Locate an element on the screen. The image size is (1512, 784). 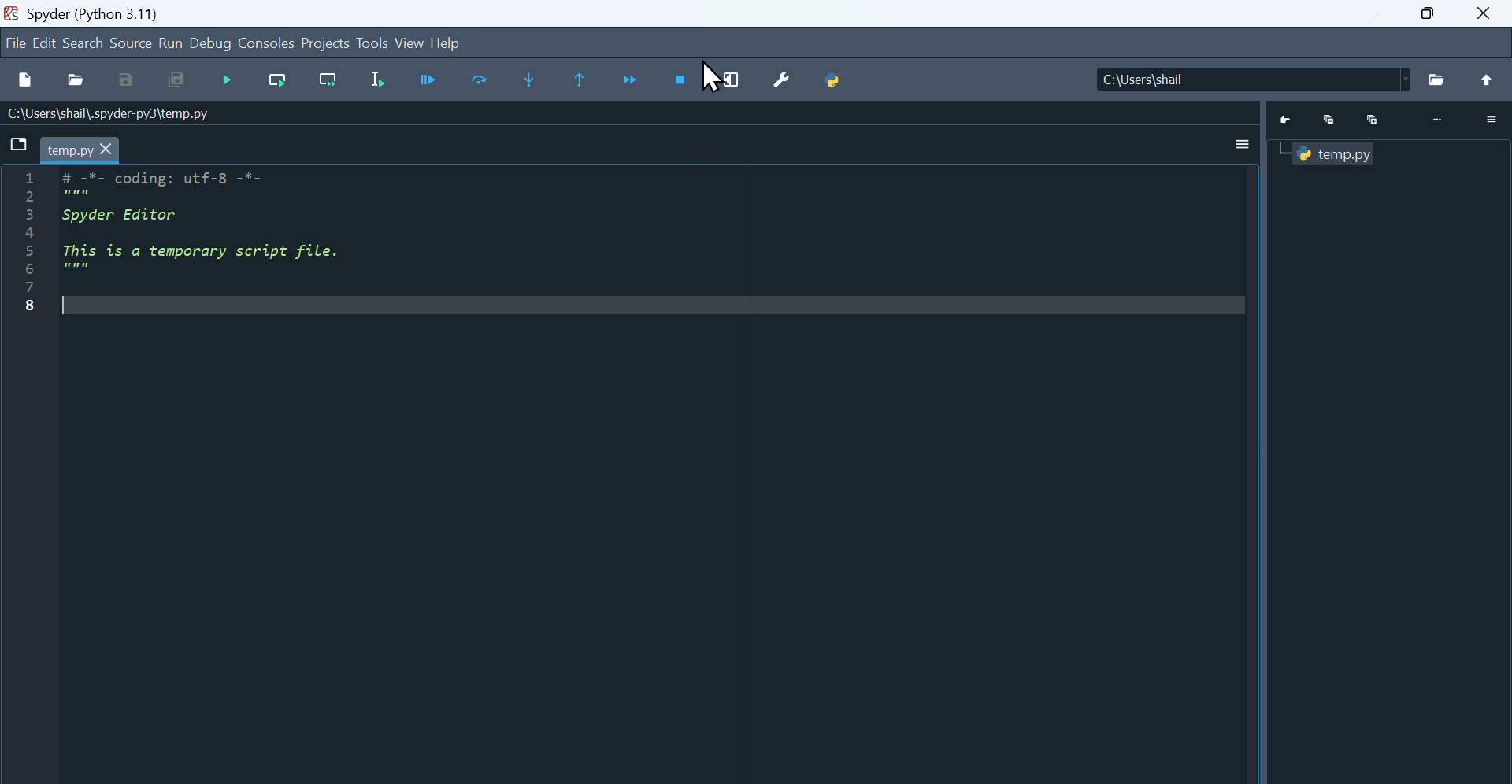
run is located at coordinates (171, 43).